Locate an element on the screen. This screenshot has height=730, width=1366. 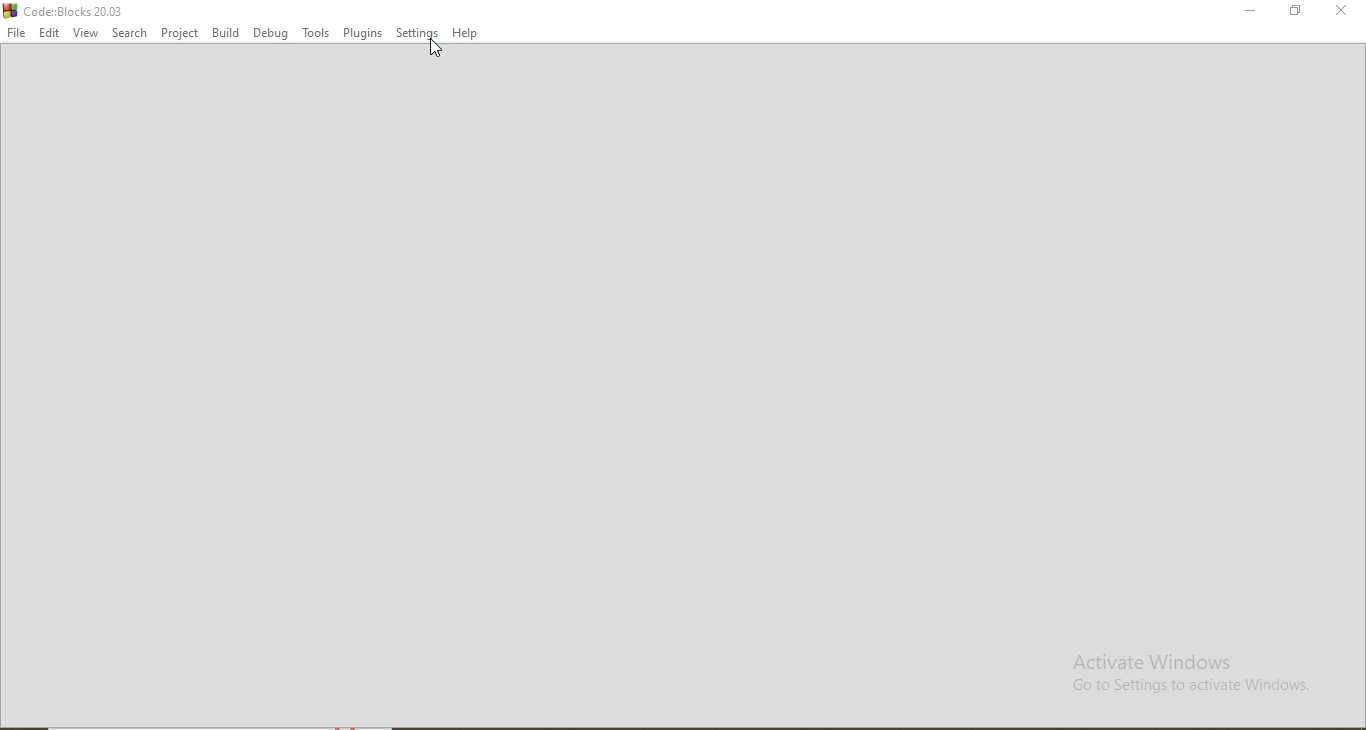
Tools  is located at coordinates (316, 33).